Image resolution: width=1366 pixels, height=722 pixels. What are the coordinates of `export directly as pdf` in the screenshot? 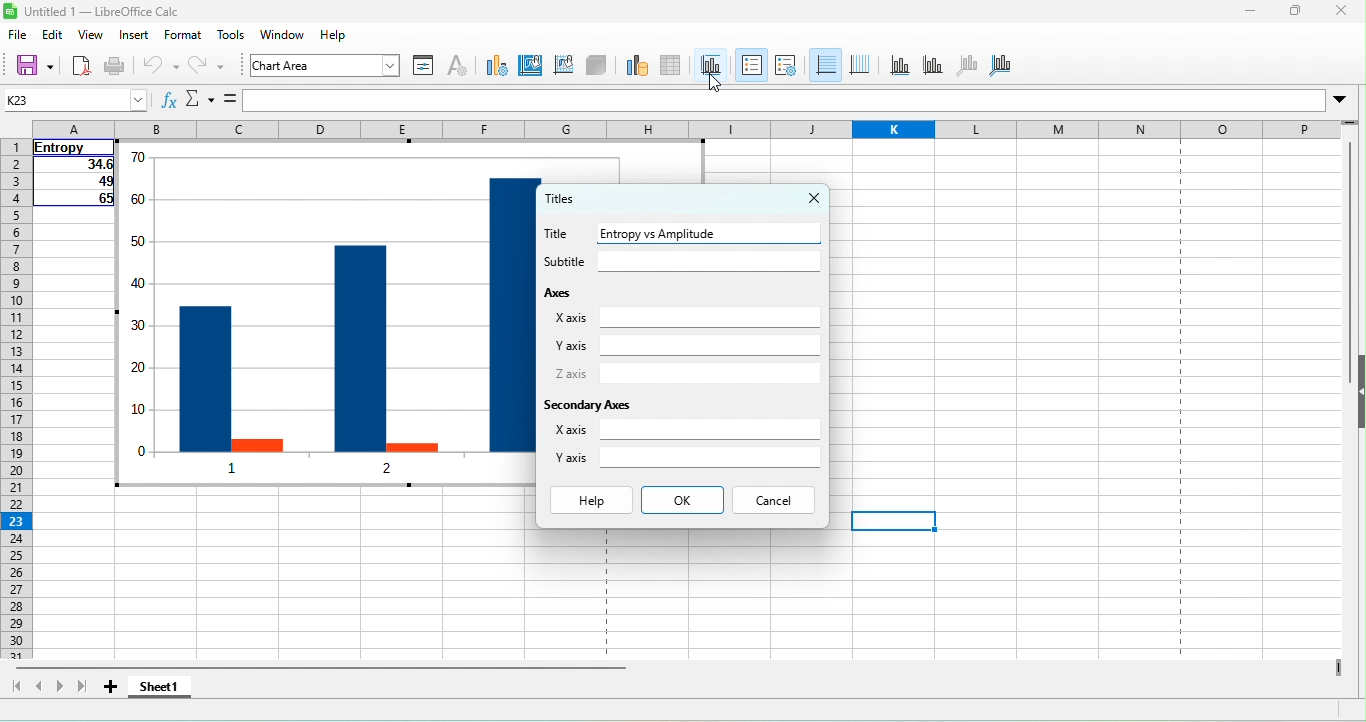 It's located at (82, 65).